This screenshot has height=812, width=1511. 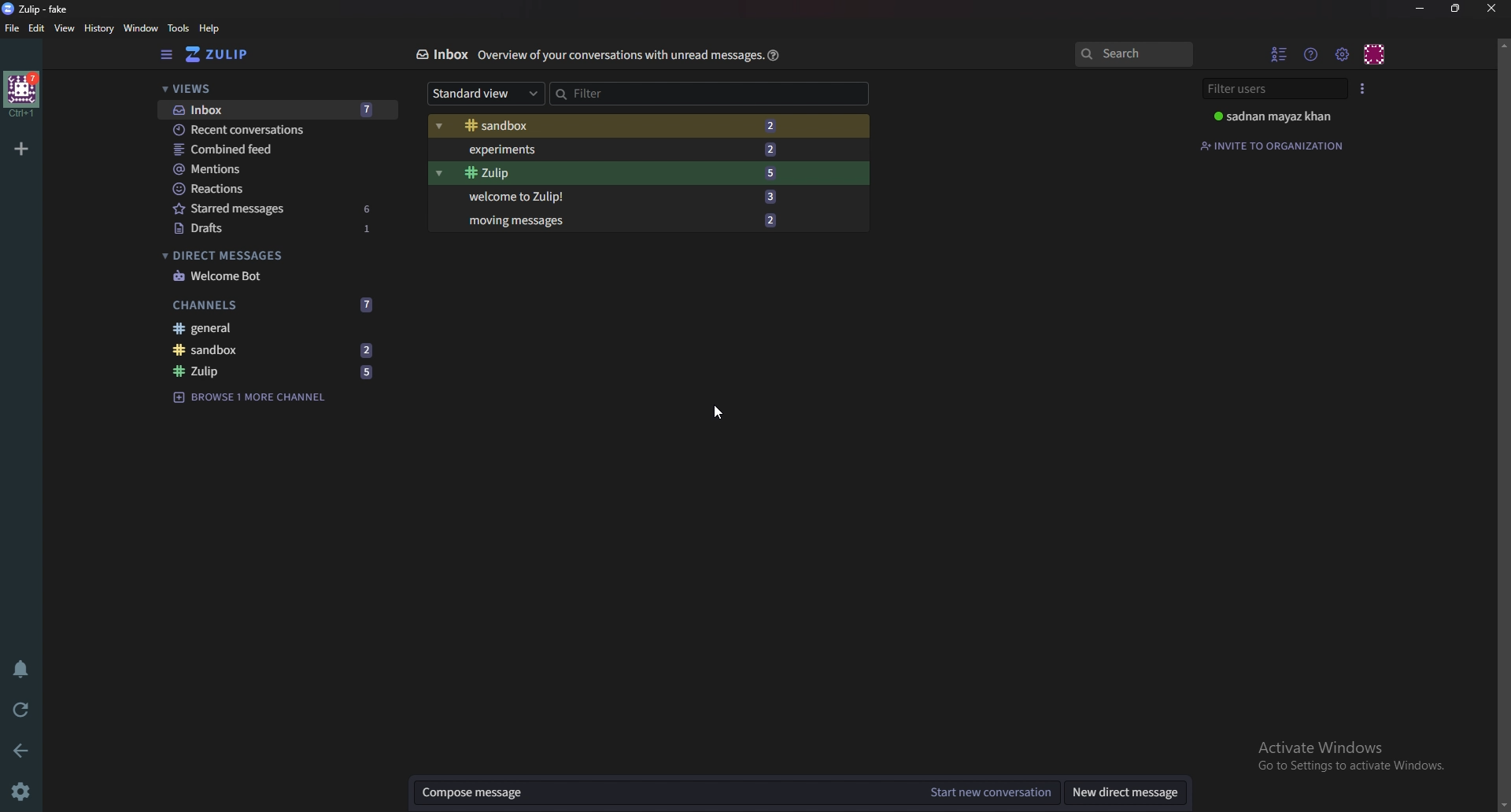 I want to click on sadnan mayaz khan, so click(x=1279, y=116).